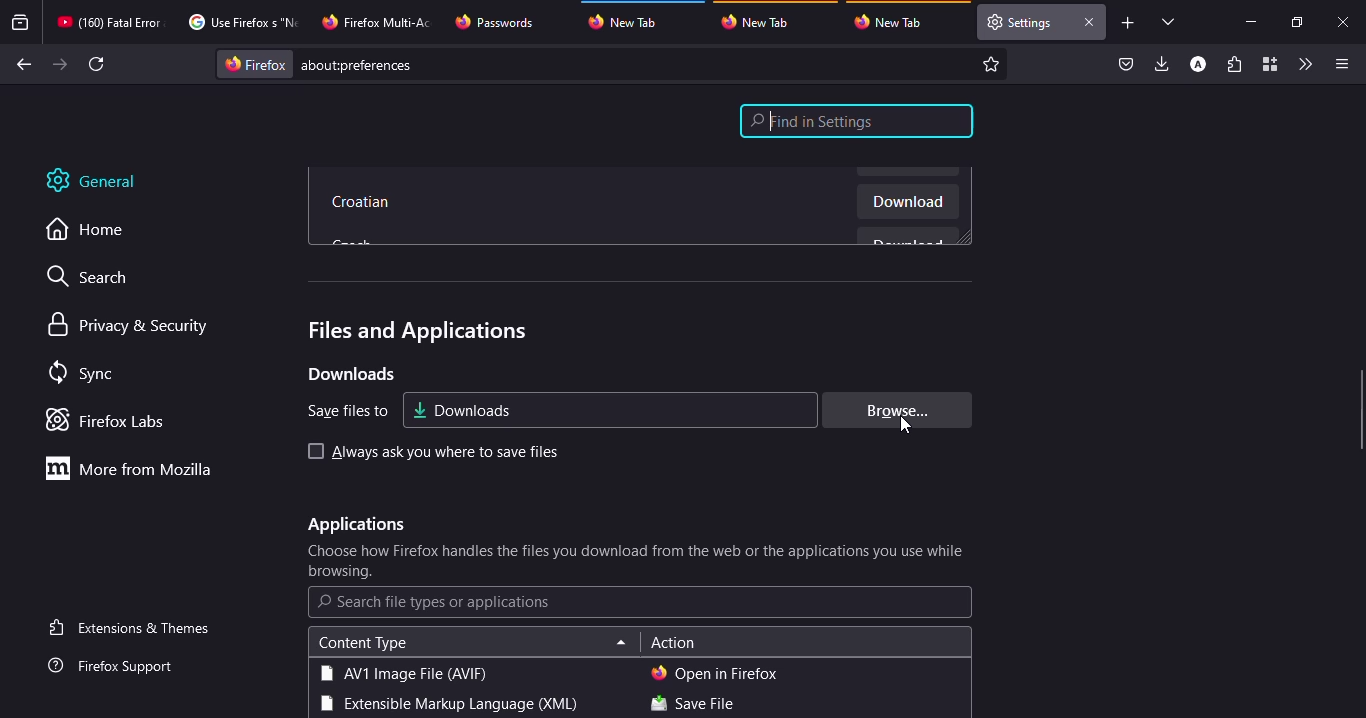  I want to click on type, so click(403, 673).